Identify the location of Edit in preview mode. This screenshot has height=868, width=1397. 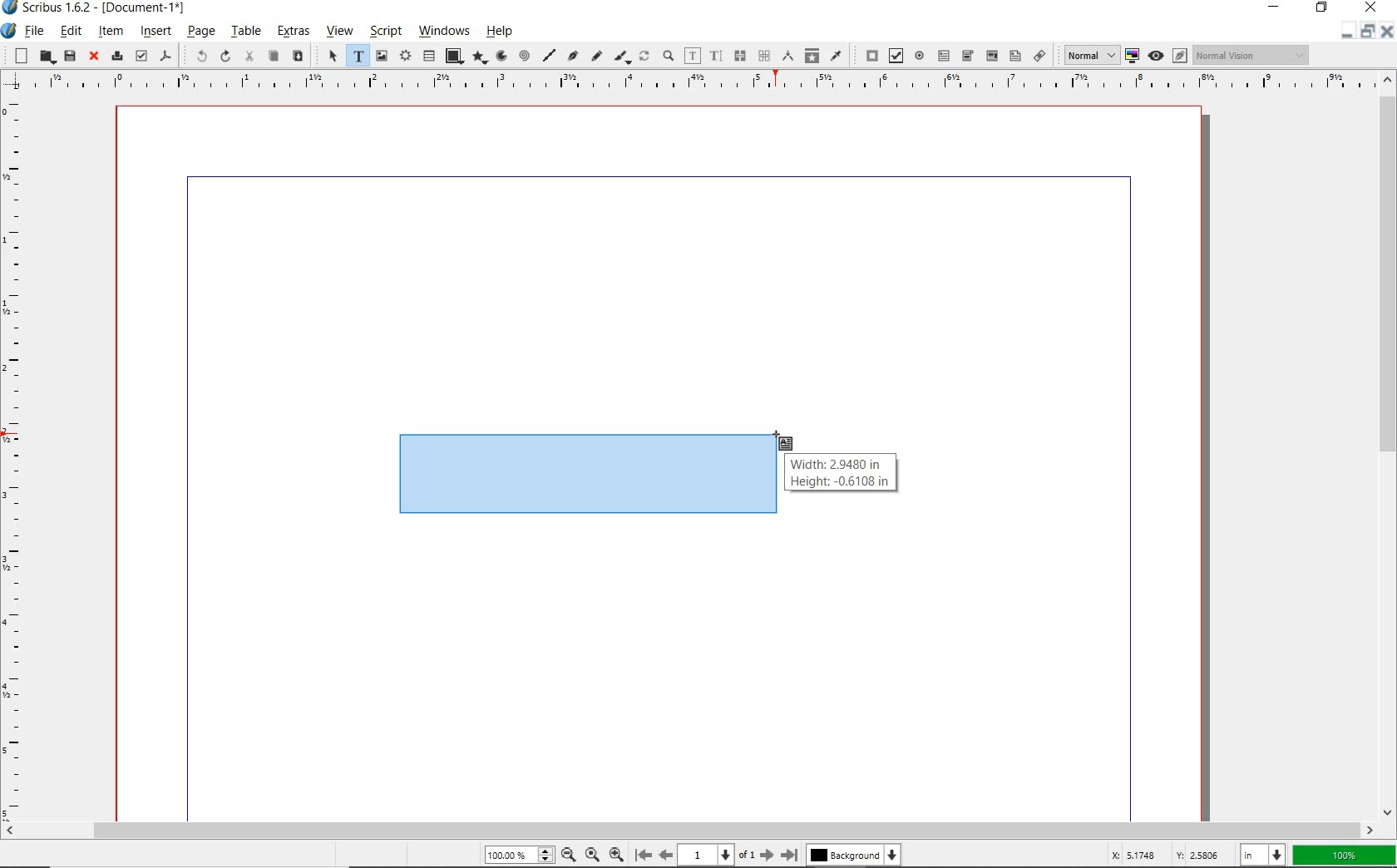
(1179, 57).